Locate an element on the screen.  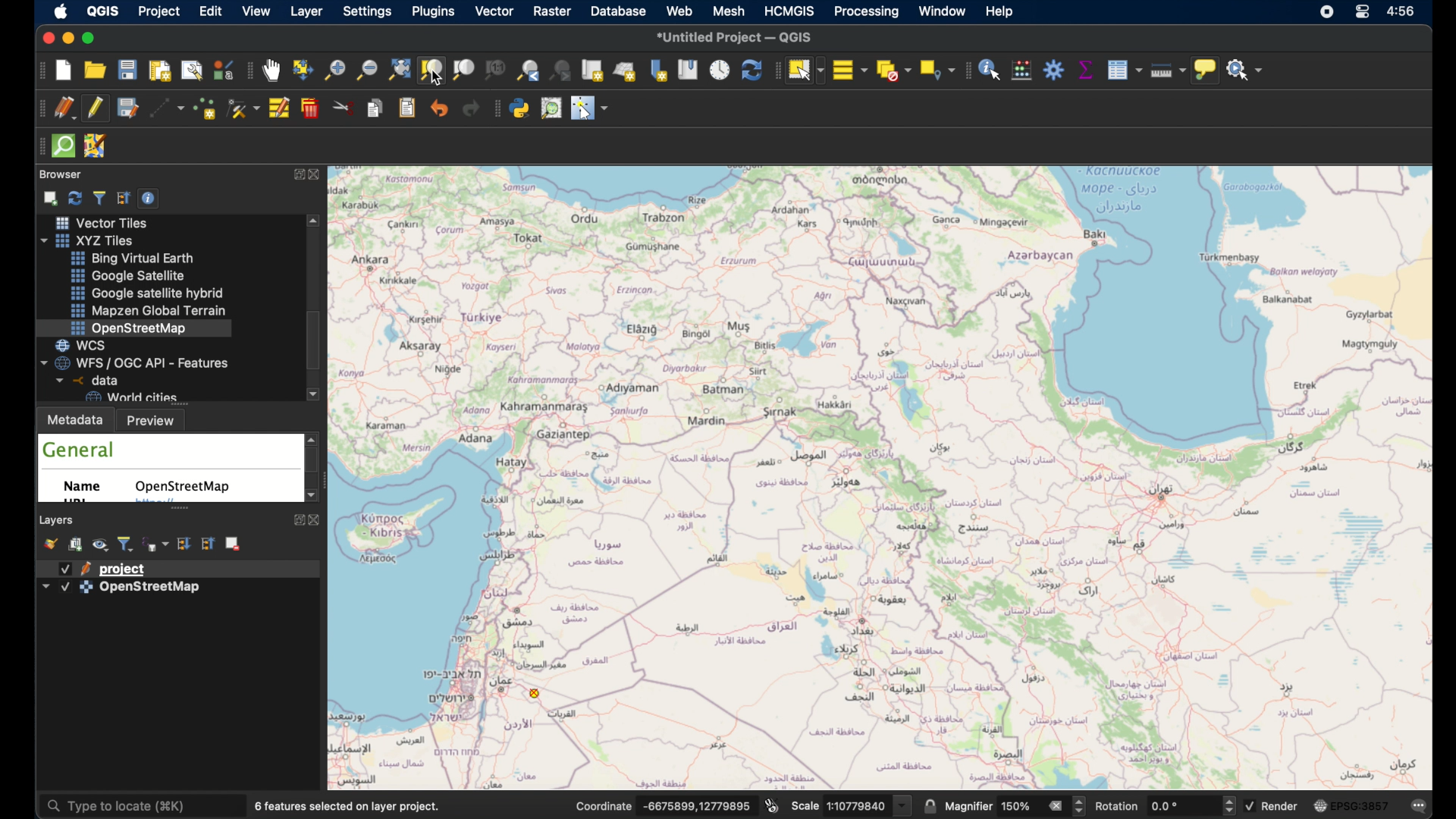
save project is located at coordinates (128, 70).